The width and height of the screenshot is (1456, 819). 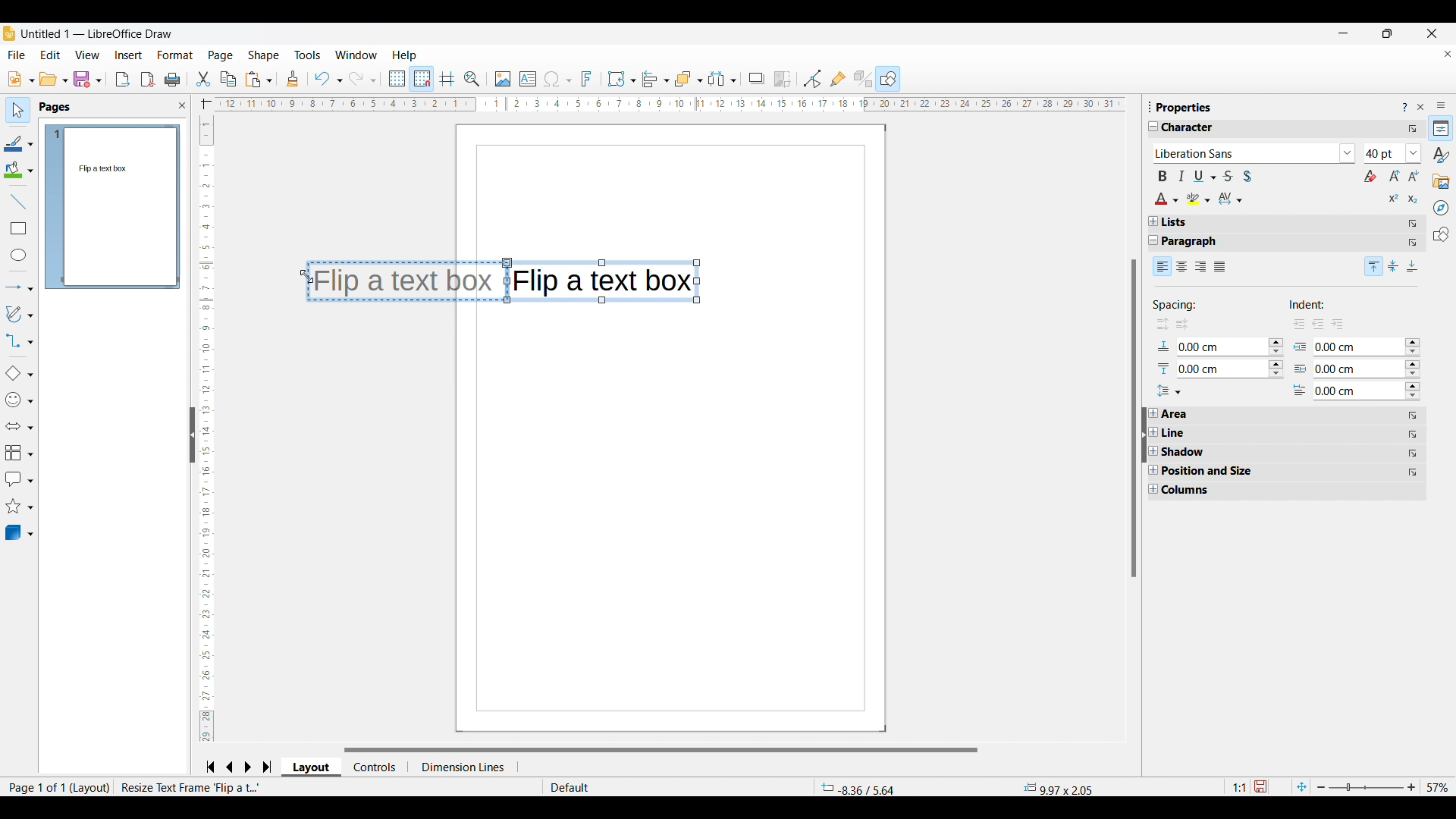 What do you see at coordinates (1164, 359) in the screenshot?
I see `Indicates input for respective spacing options` at bounding box center [1164, 359].